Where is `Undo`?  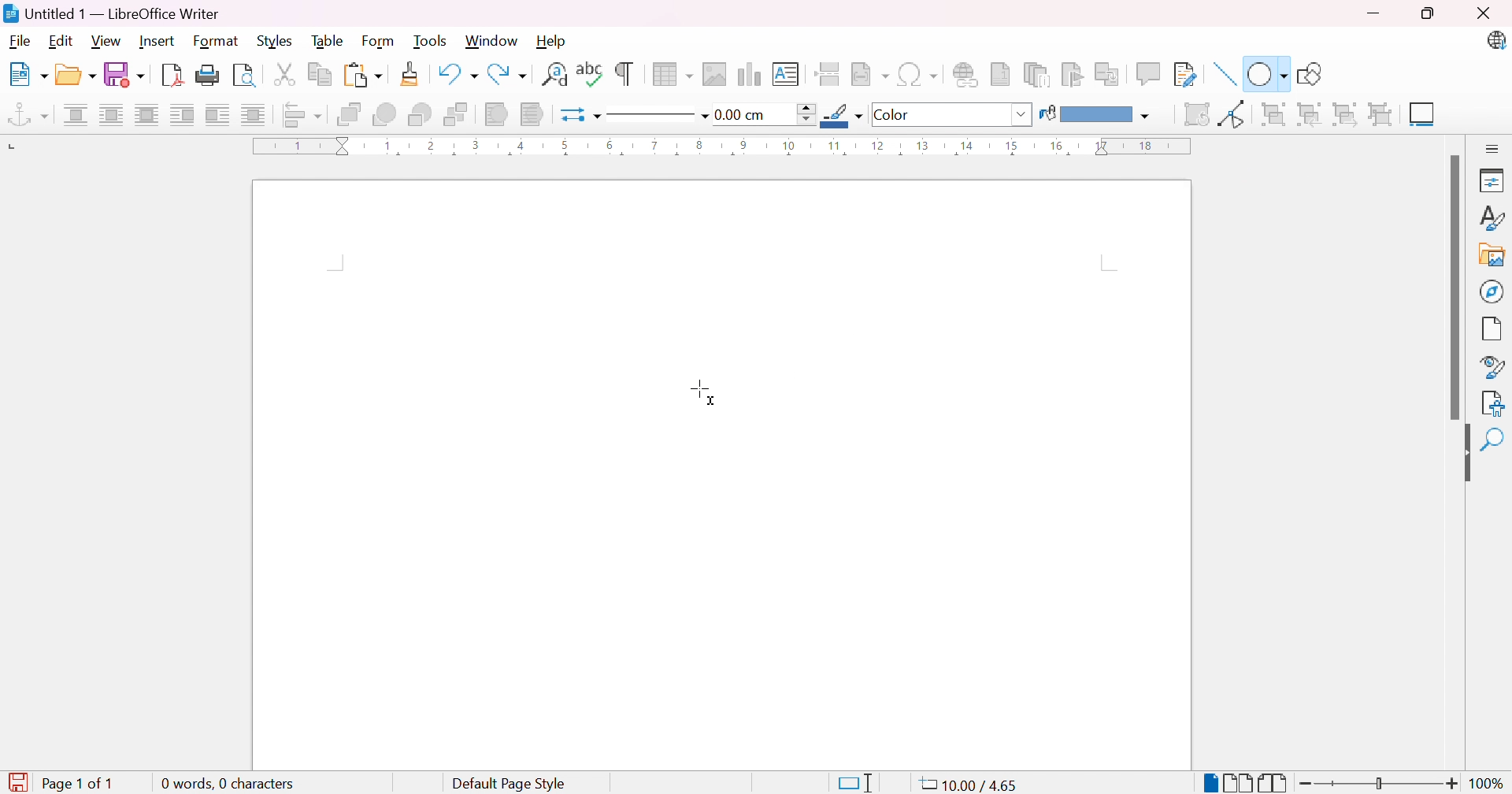
Undo is located at coordinates (456, 70).